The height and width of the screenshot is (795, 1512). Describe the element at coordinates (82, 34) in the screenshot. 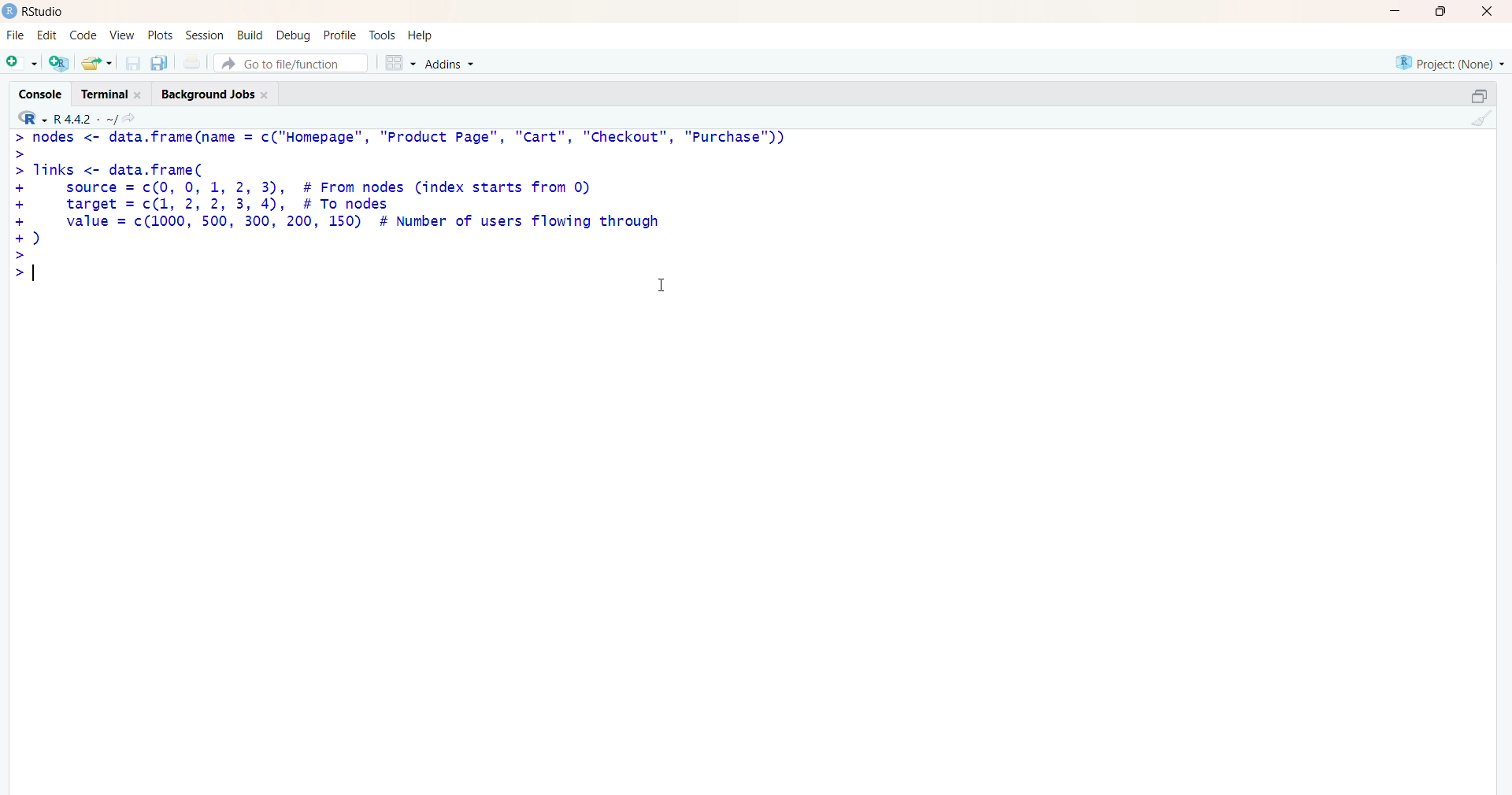

I see `` at that location.